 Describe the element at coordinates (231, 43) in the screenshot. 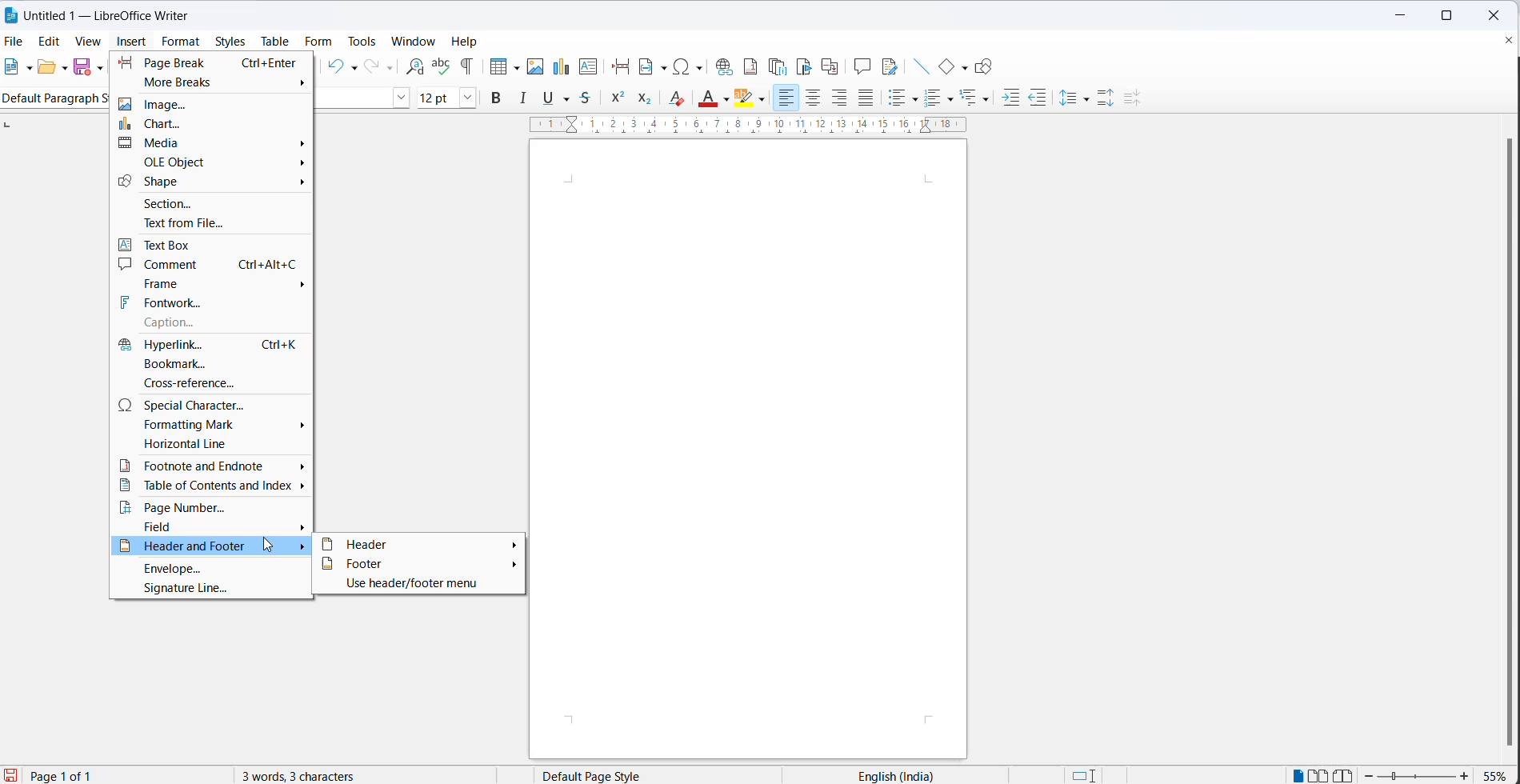

I see `styles` at that location.